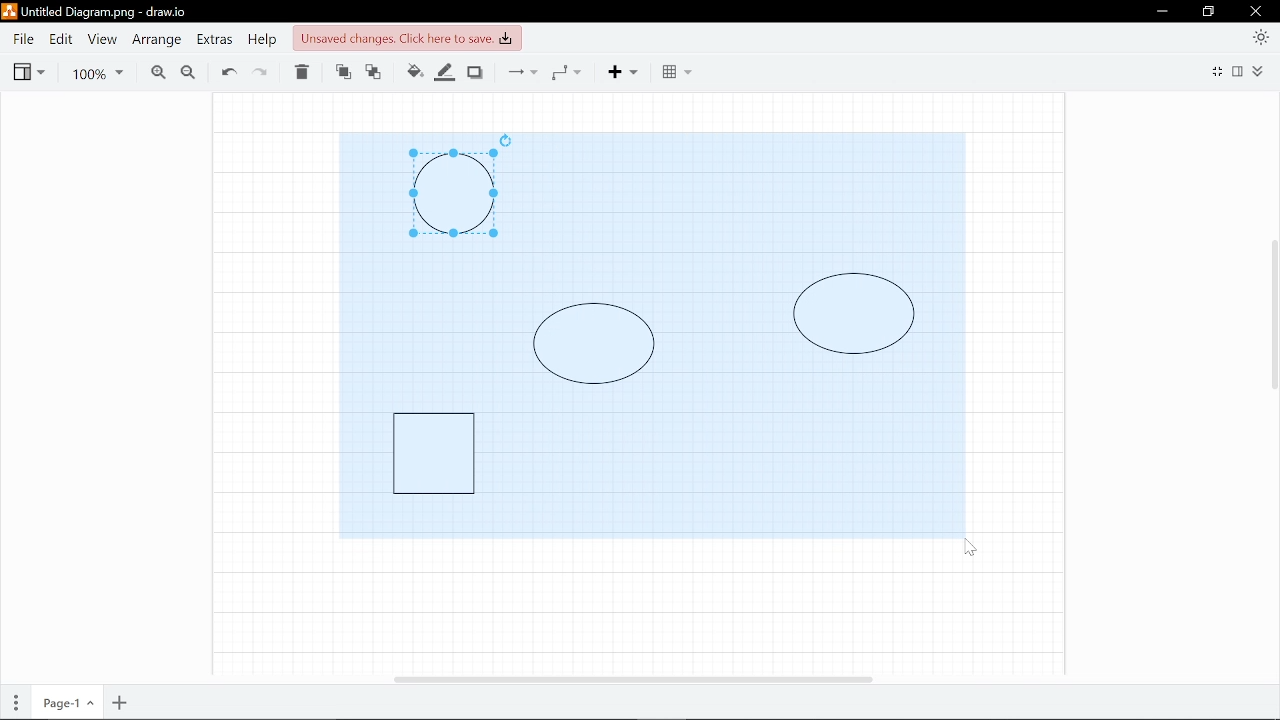  Describe the element at coordinates (187, 71) in the screenshot. I see `Zoom out` at that location.